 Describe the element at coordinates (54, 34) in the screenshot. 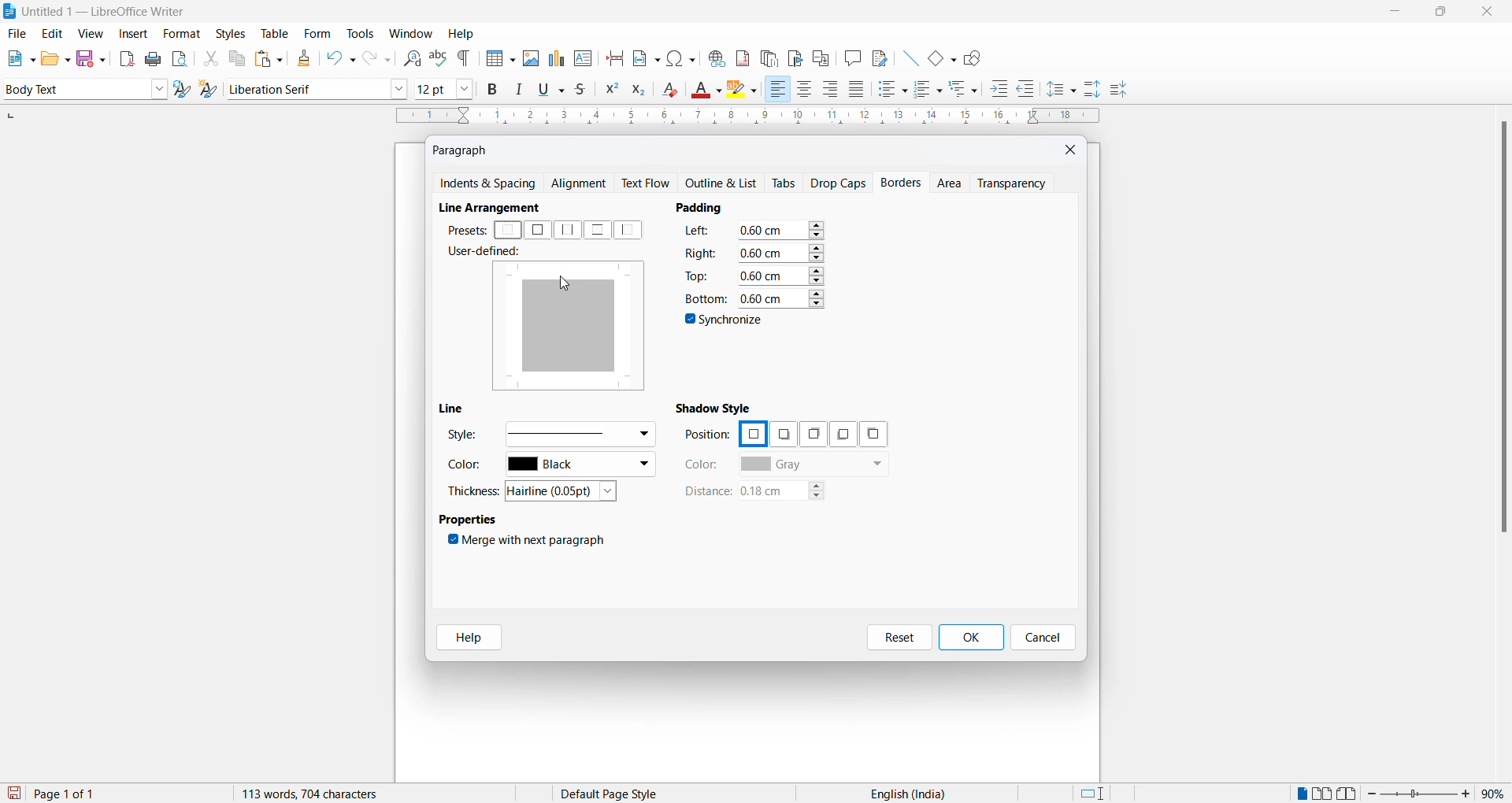

I see `edit` at that location.